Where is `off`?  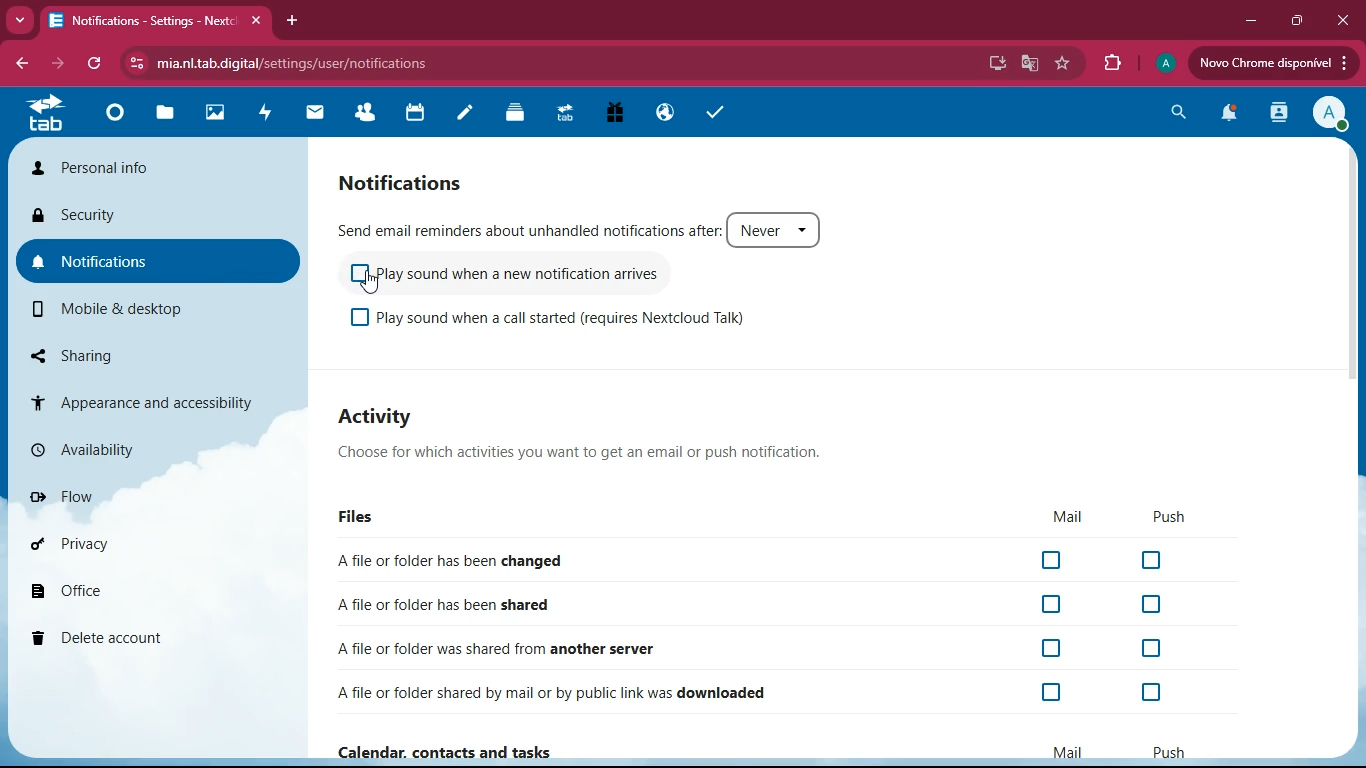 off is located at coordinates (1152, 650).